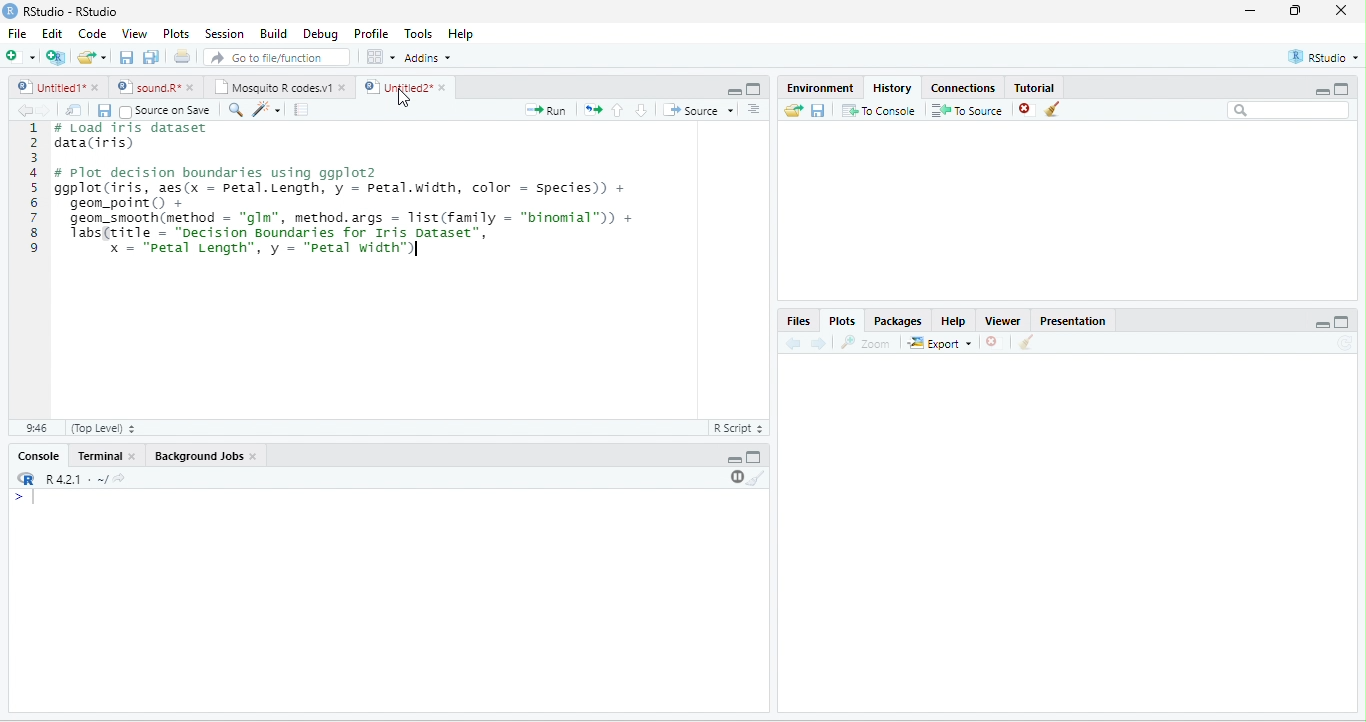 The image size is (1366, 722). What do you see at coordinates (25, 111) in the screenshot?
I see `back` at bounding box center [25, 111].